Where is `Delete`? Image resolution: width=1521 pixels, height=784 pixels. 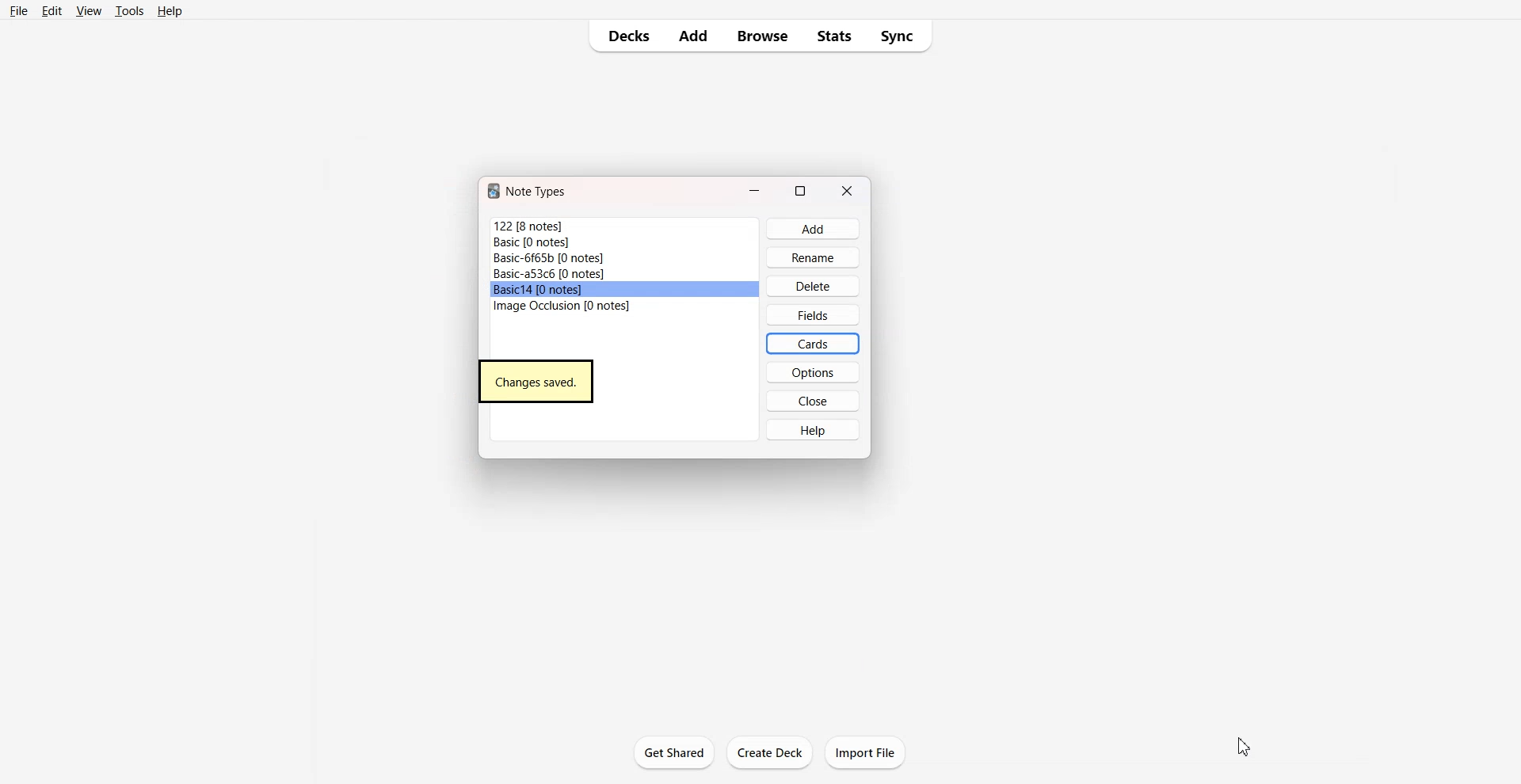 Delete is located at coordinates (814, 286).